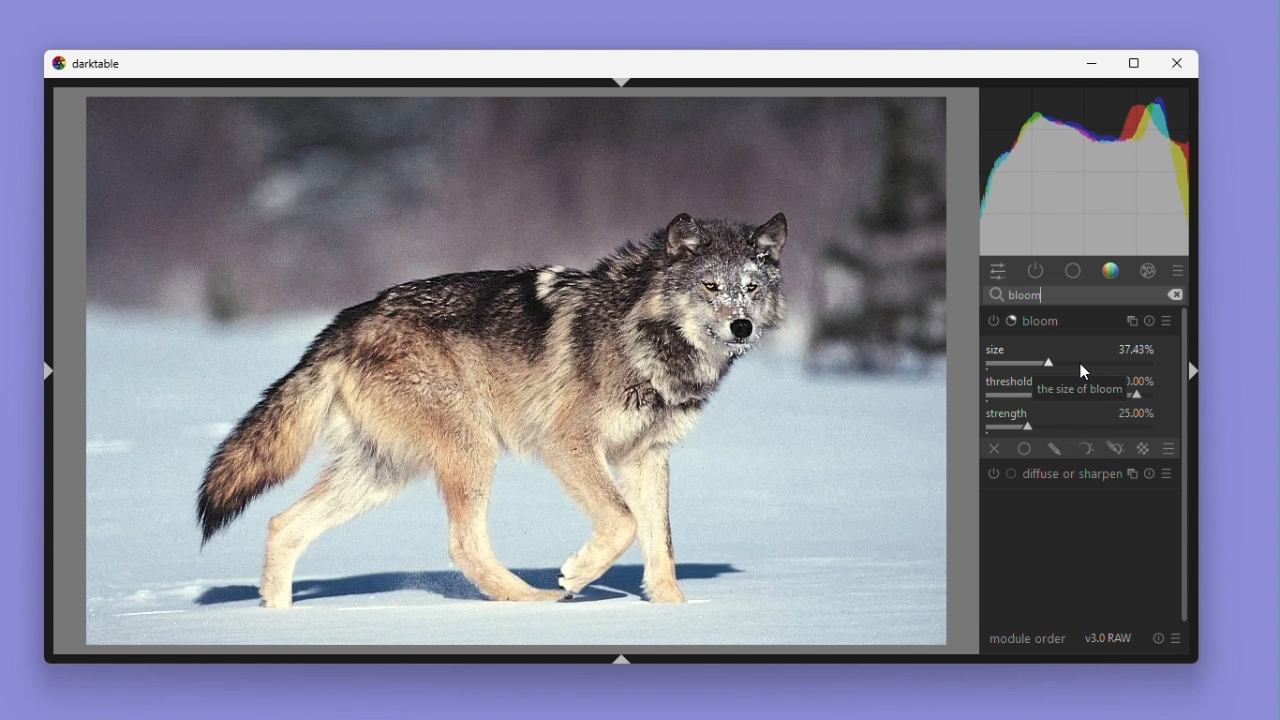  What do you see at coordinates (1195, 372) in the screenshot?
I see `shift+ctrl+r` at bounding box center [1195, 372].